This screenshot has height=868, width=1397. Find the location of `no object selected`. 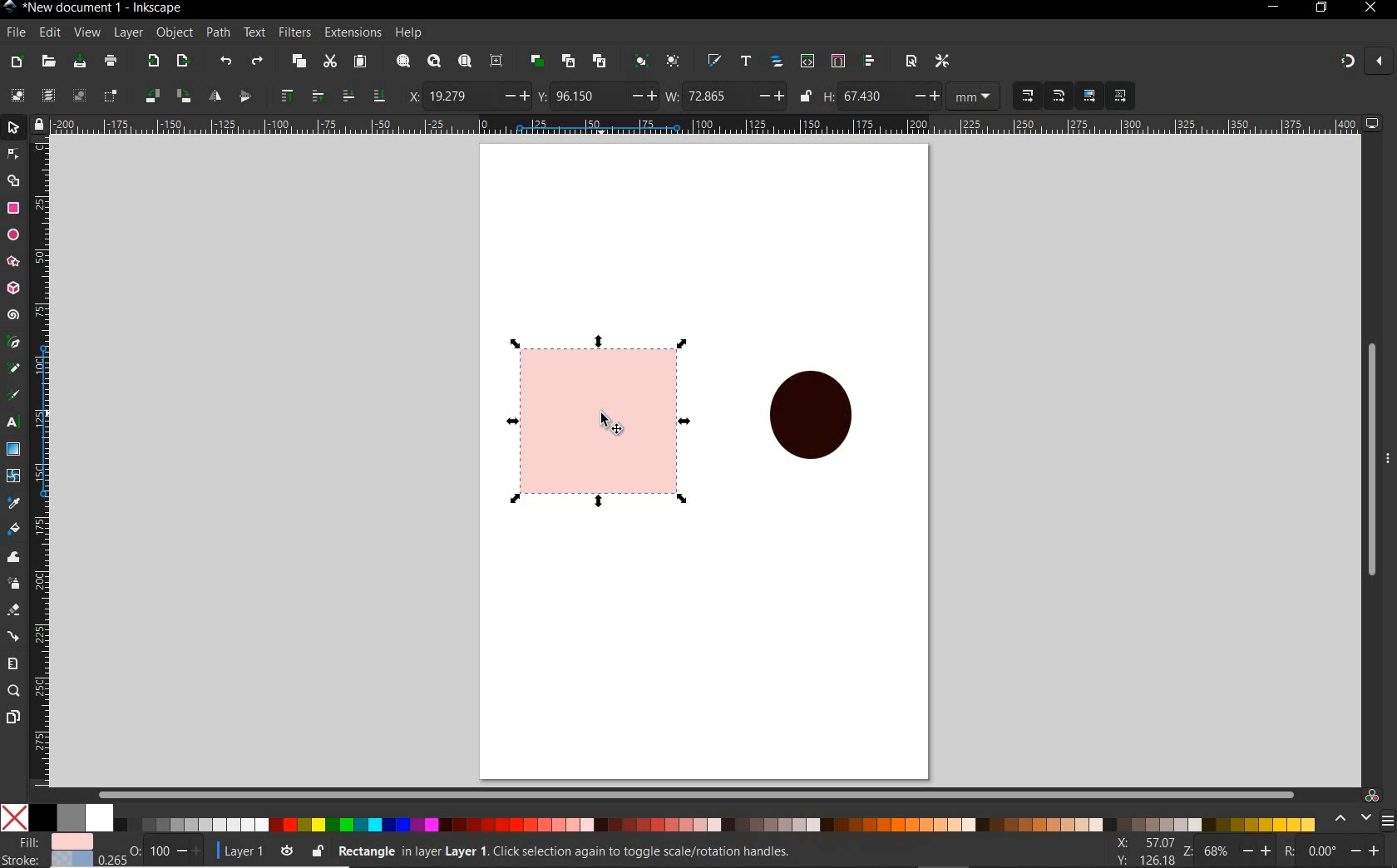

no object selected is located at coordinates (629, 854).